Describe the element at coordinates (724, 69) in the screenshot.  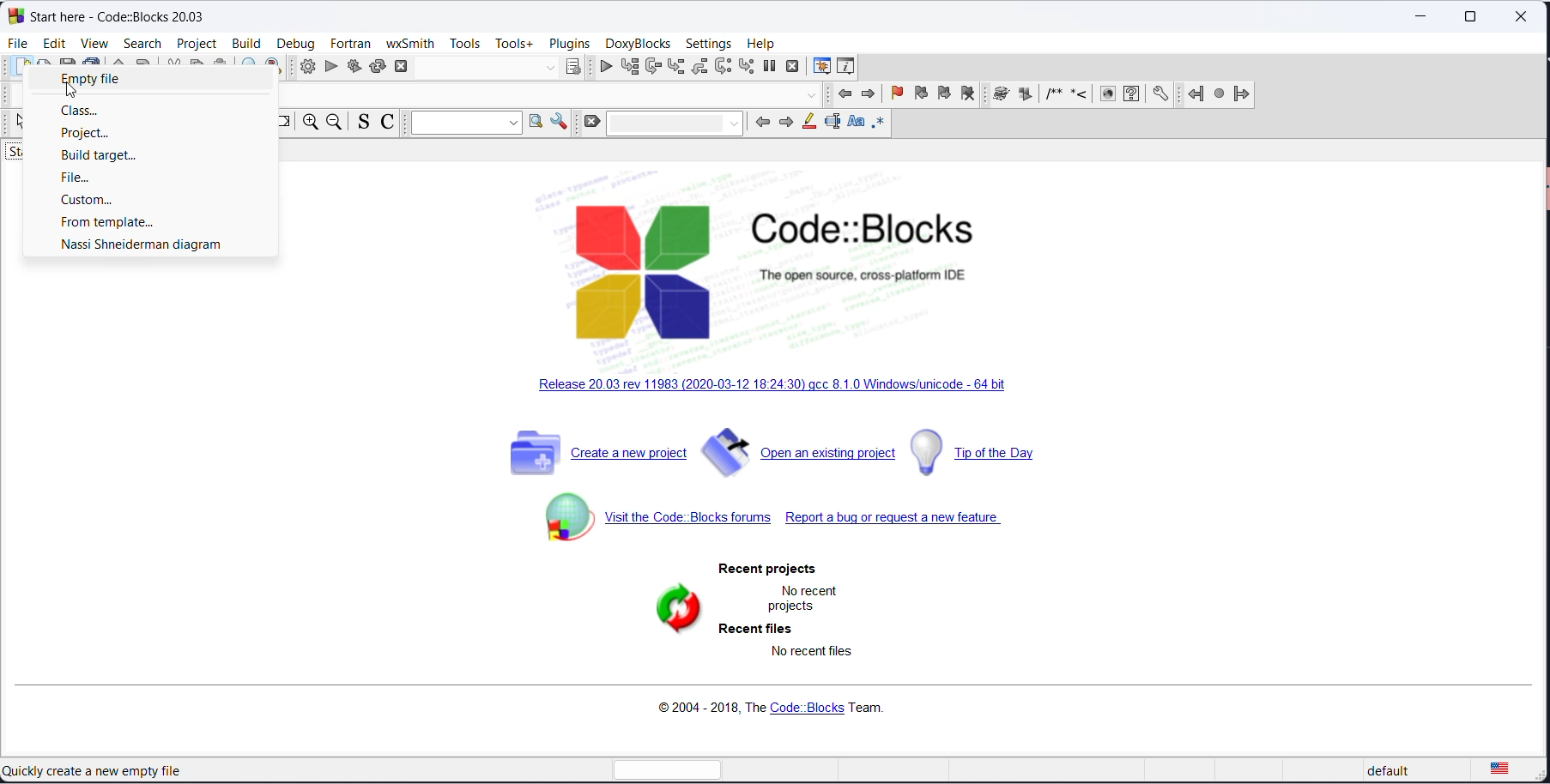
I see `next instruction` at that location.